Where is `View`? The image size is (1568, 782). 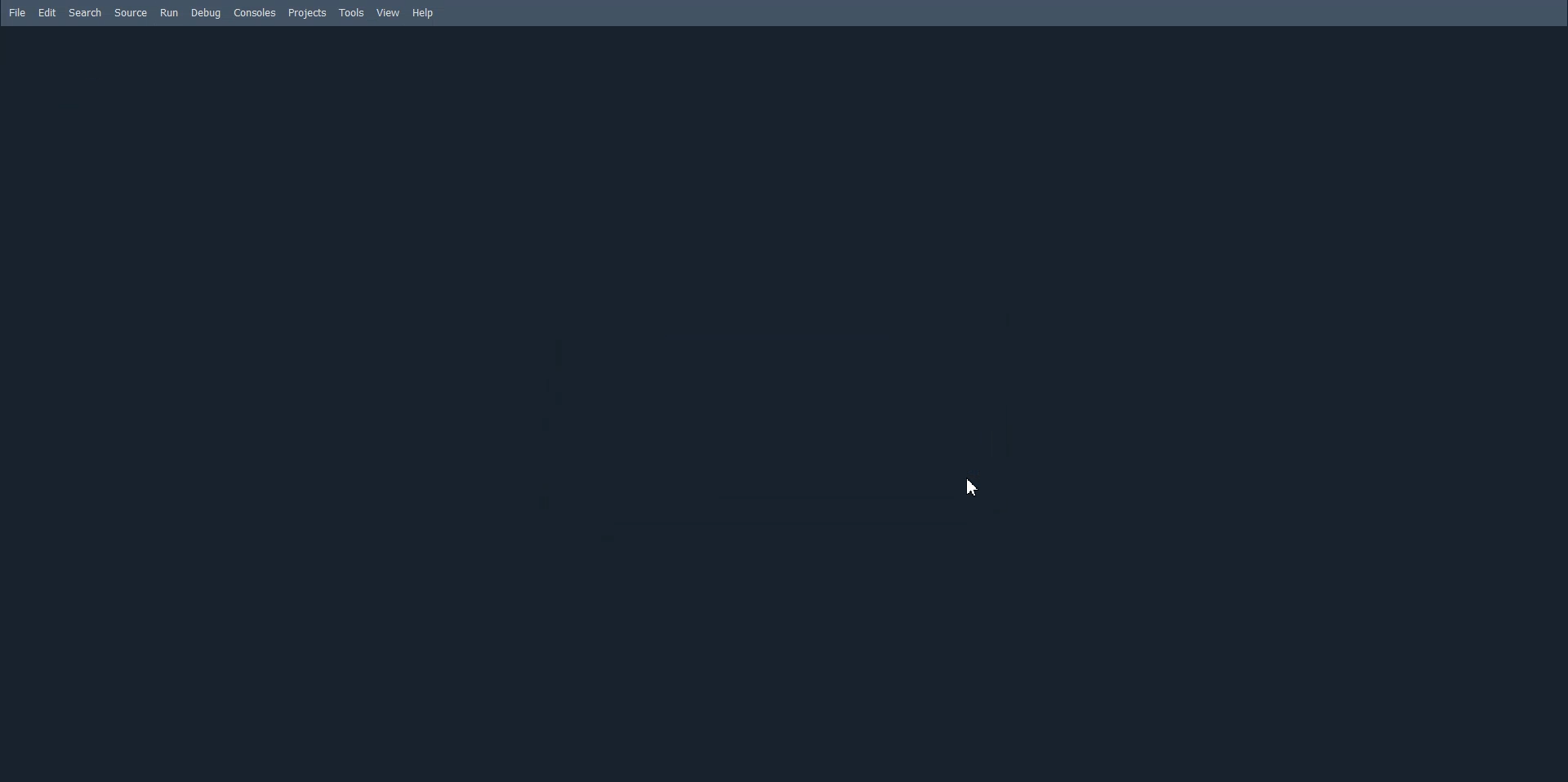 View is located at coordinates (388, 13).